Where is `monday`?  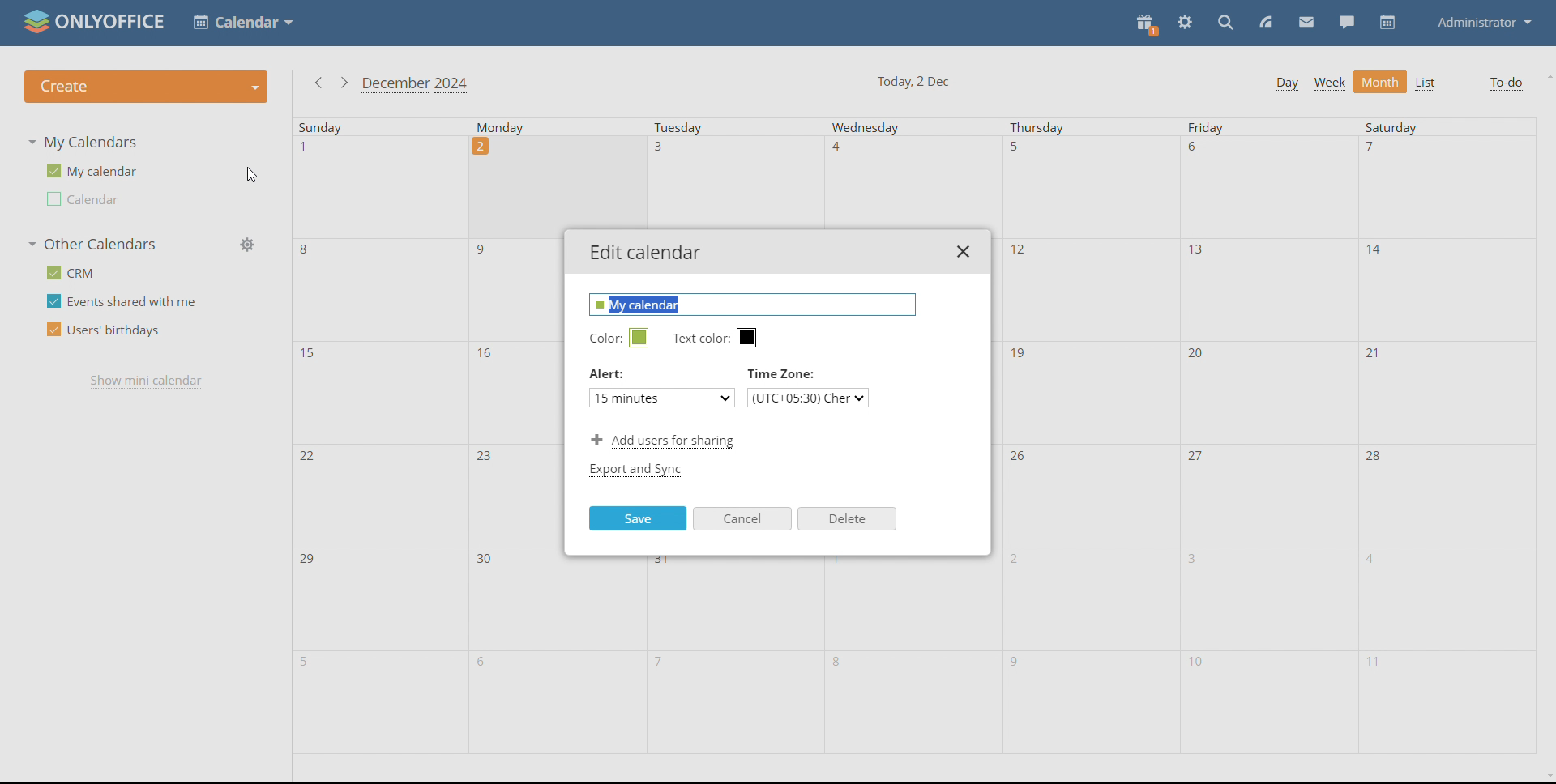
monday is located at coordinates (557, 656).